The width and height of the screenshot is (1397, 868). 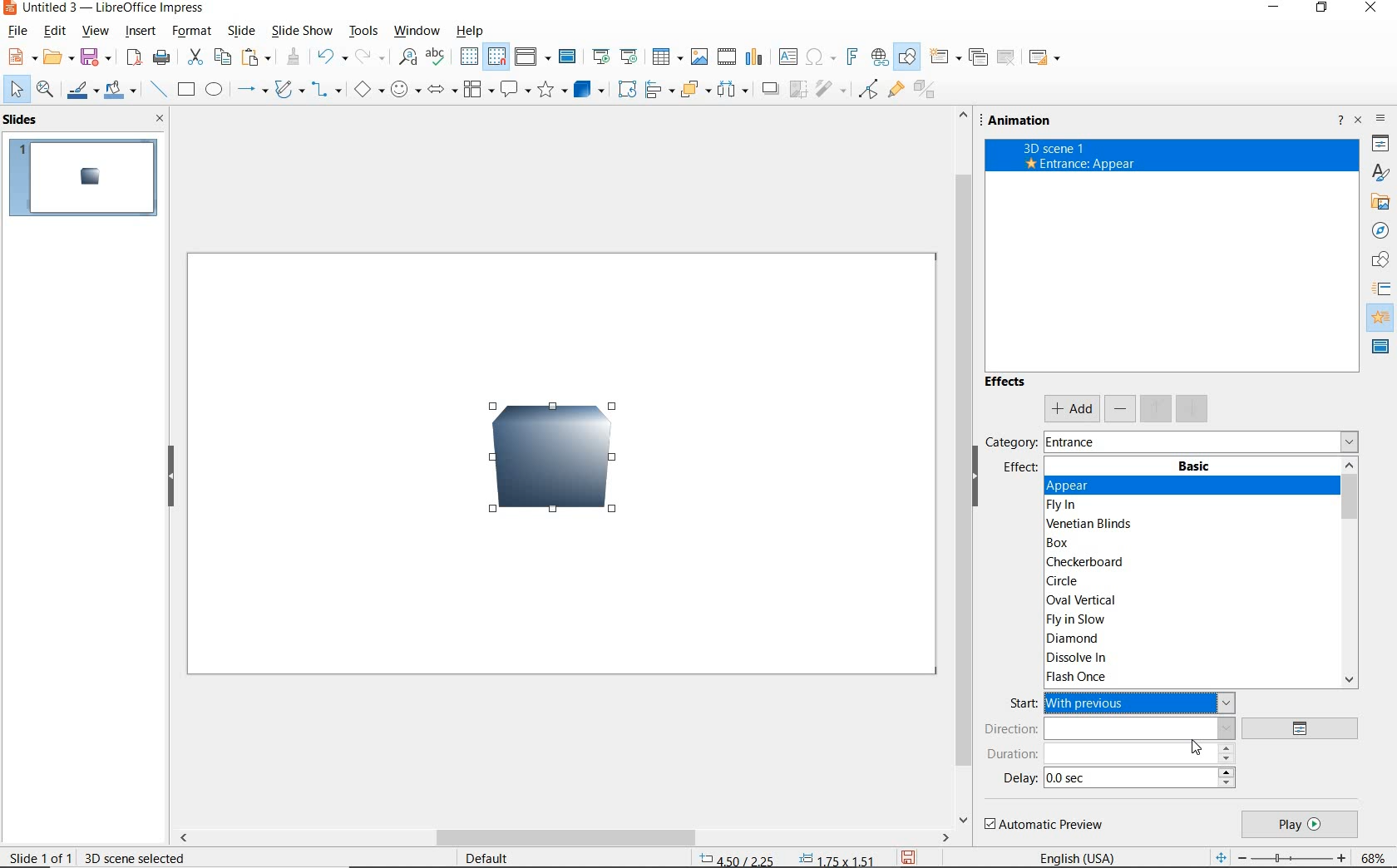 What do you see at coordinates (515, 90) in the screenshot?
I see `callout shapes` at bounding box center [515, 90].